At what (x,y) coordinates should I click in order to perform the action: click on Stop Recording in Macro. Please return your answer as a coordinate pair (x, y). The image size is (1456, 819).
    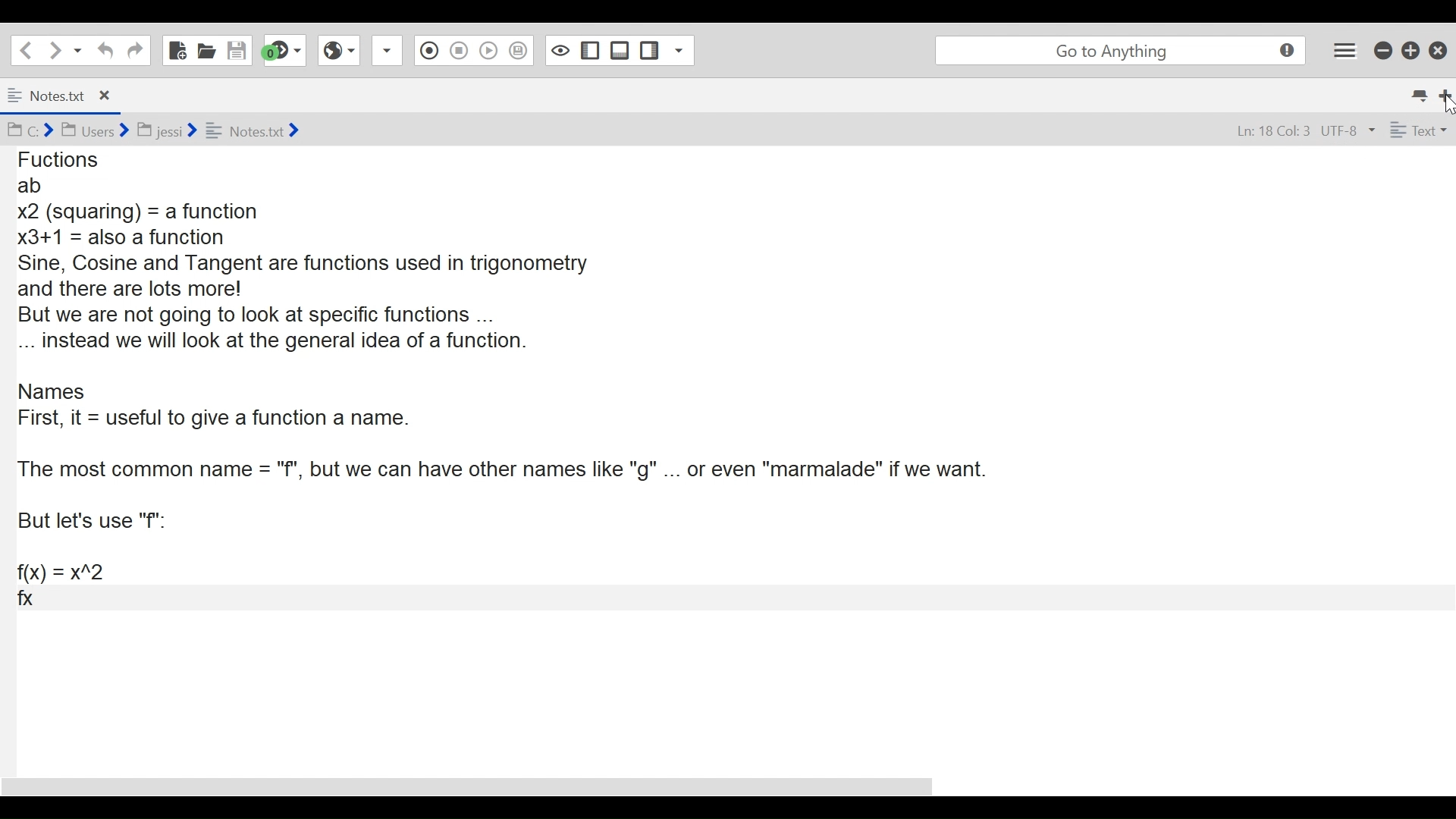
    Looking at the image, I should click on (458, 52).